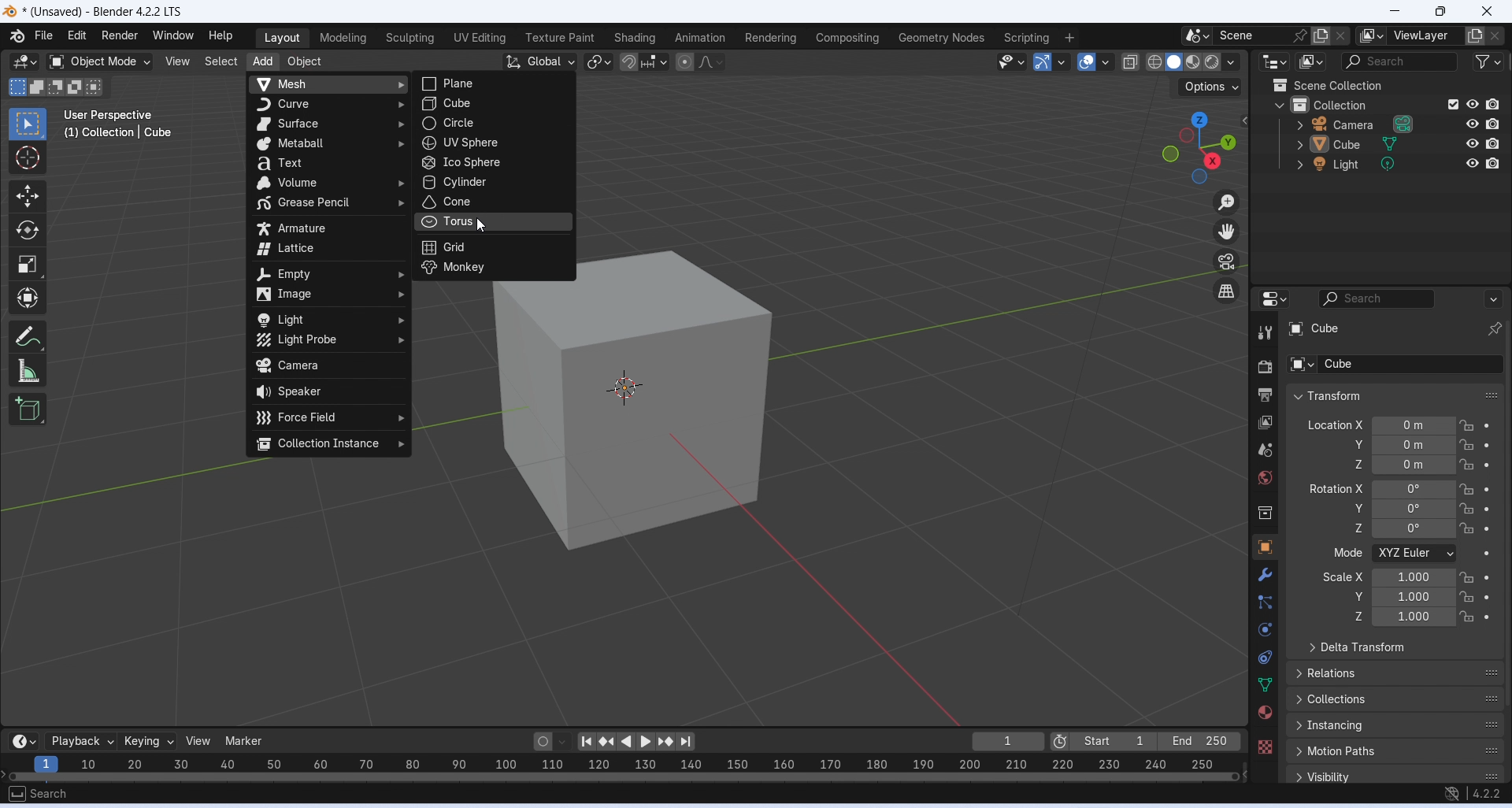 The image size is (1512, 808). Describe the element at coordinates (1335, 424) in the screenshot. I see `Location X` at that location.